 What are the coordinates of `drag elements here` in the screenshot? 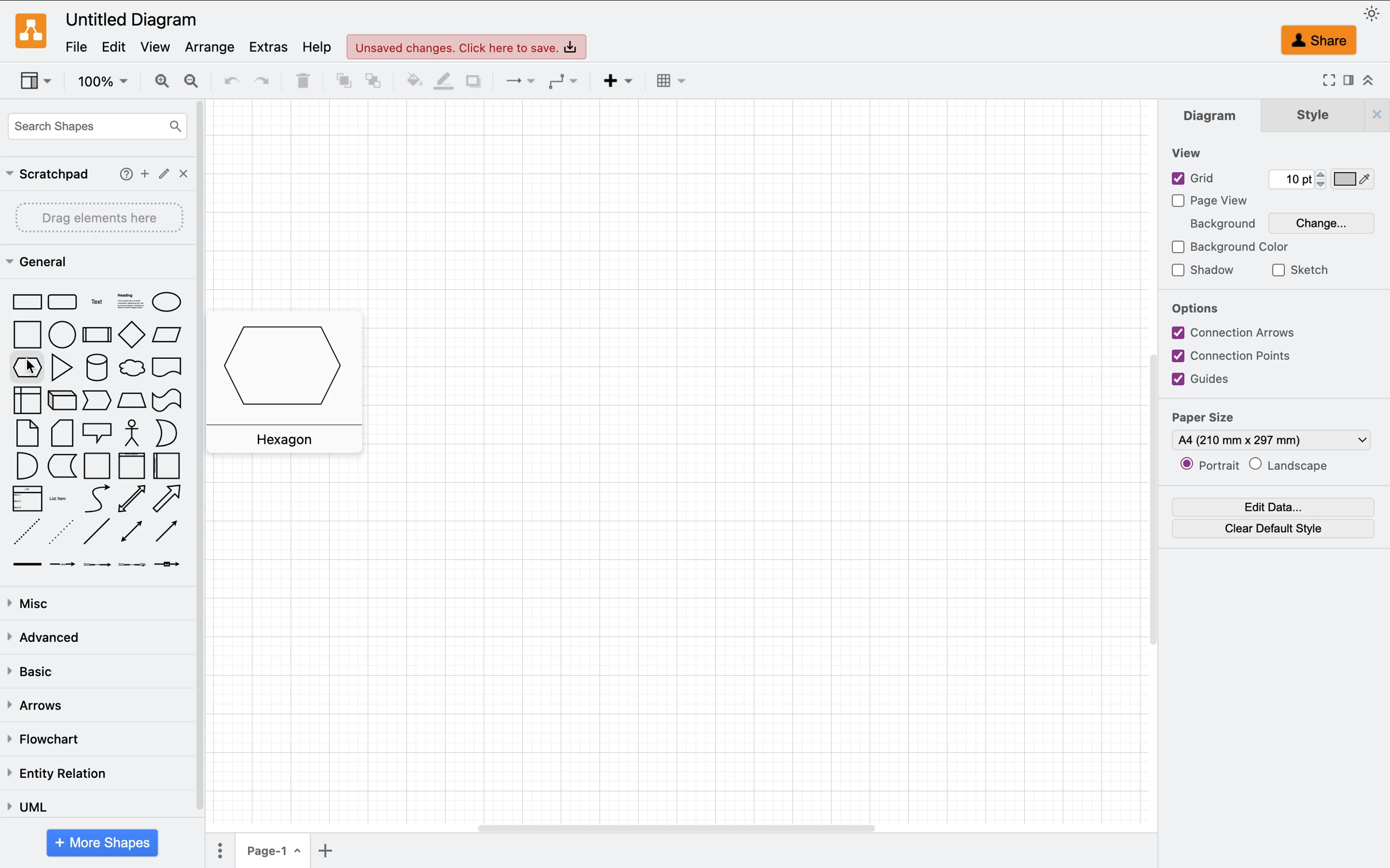 It's located at (101, 218).